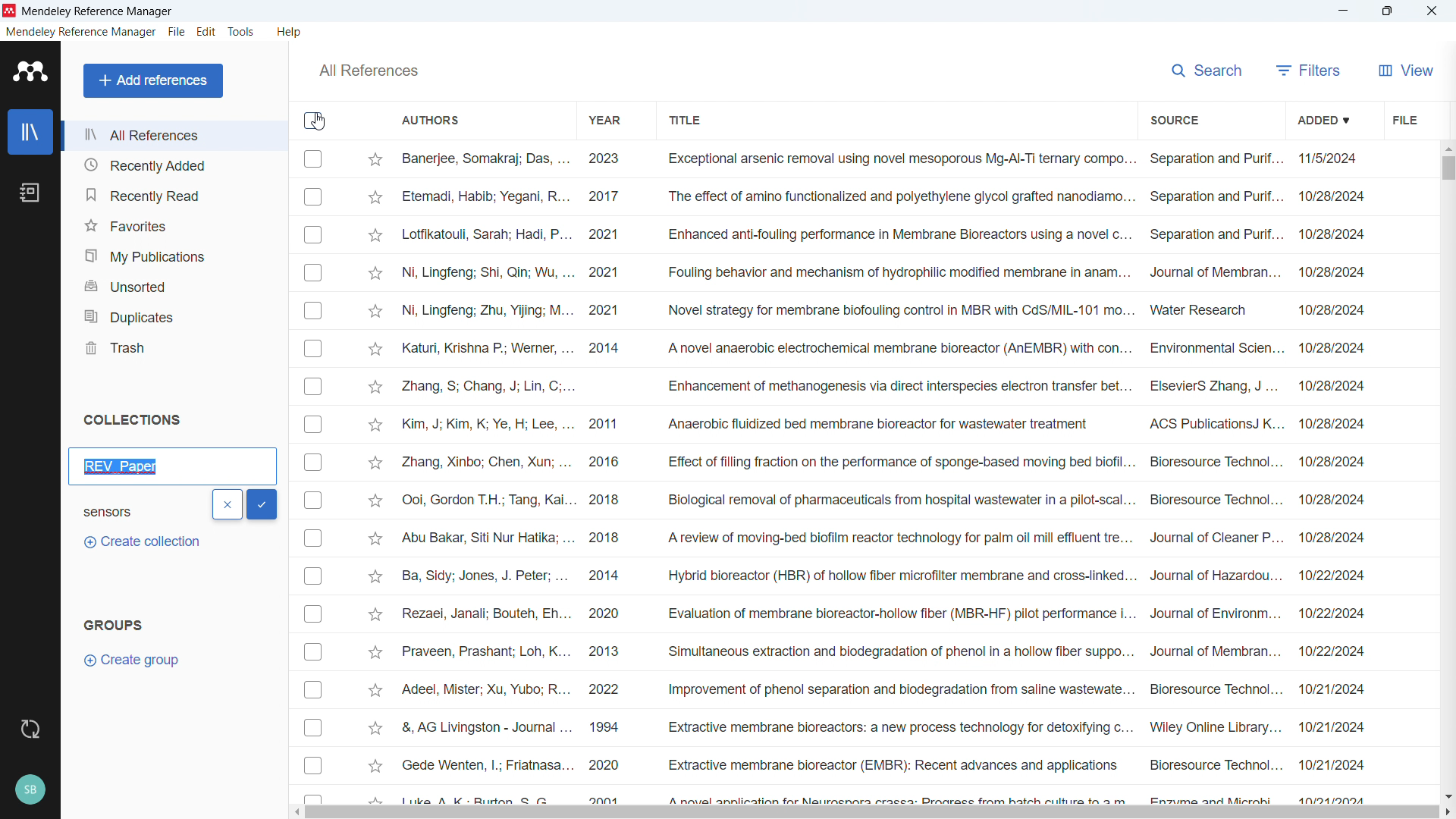 The height and width of the screenshot is (819, 1456). I want to click on filters, so click(1309, 68).